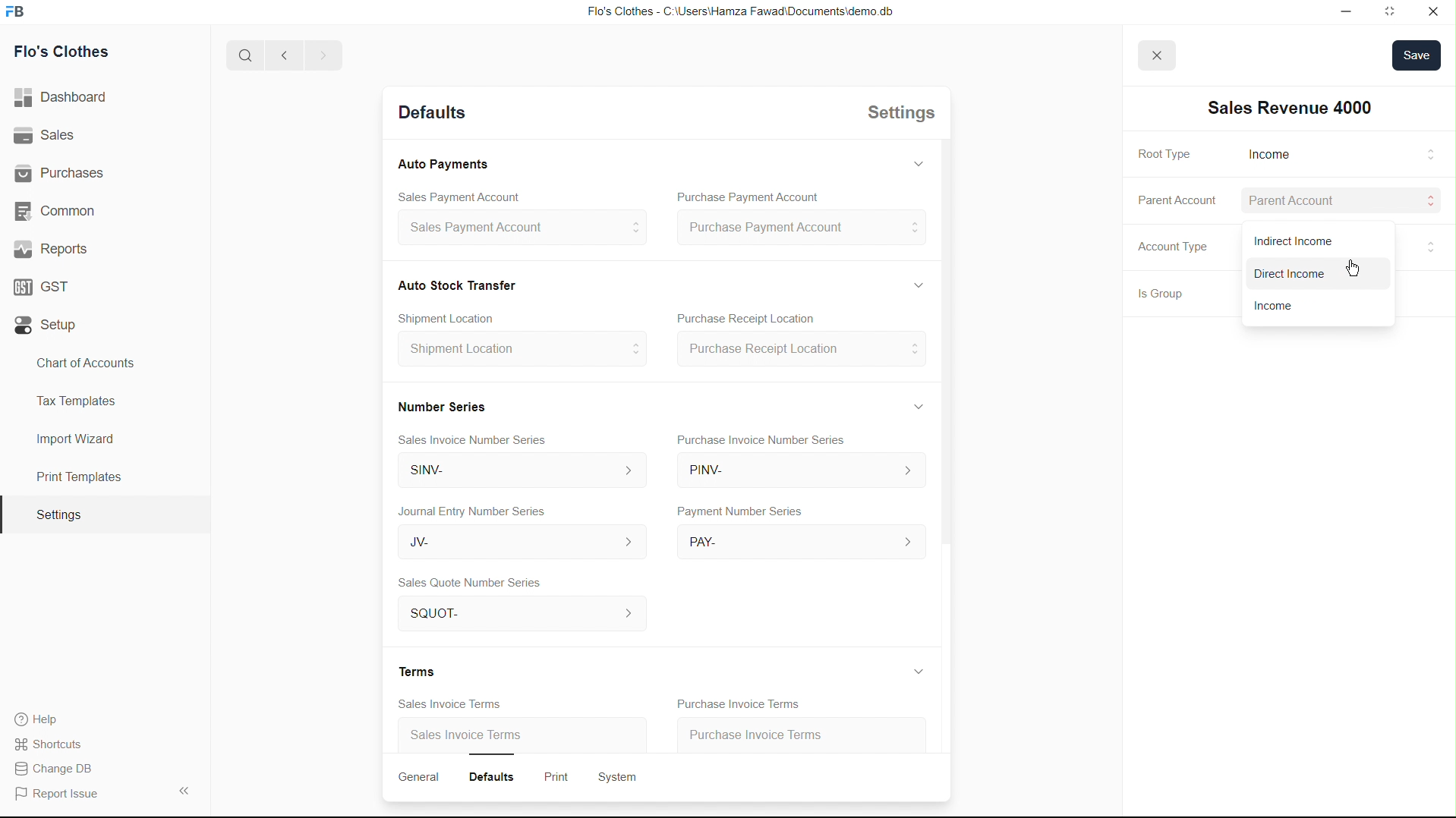  Describe the element at coordinates (442, 703) in the screenshot. I see `Sales Invoice Terms` at that location.